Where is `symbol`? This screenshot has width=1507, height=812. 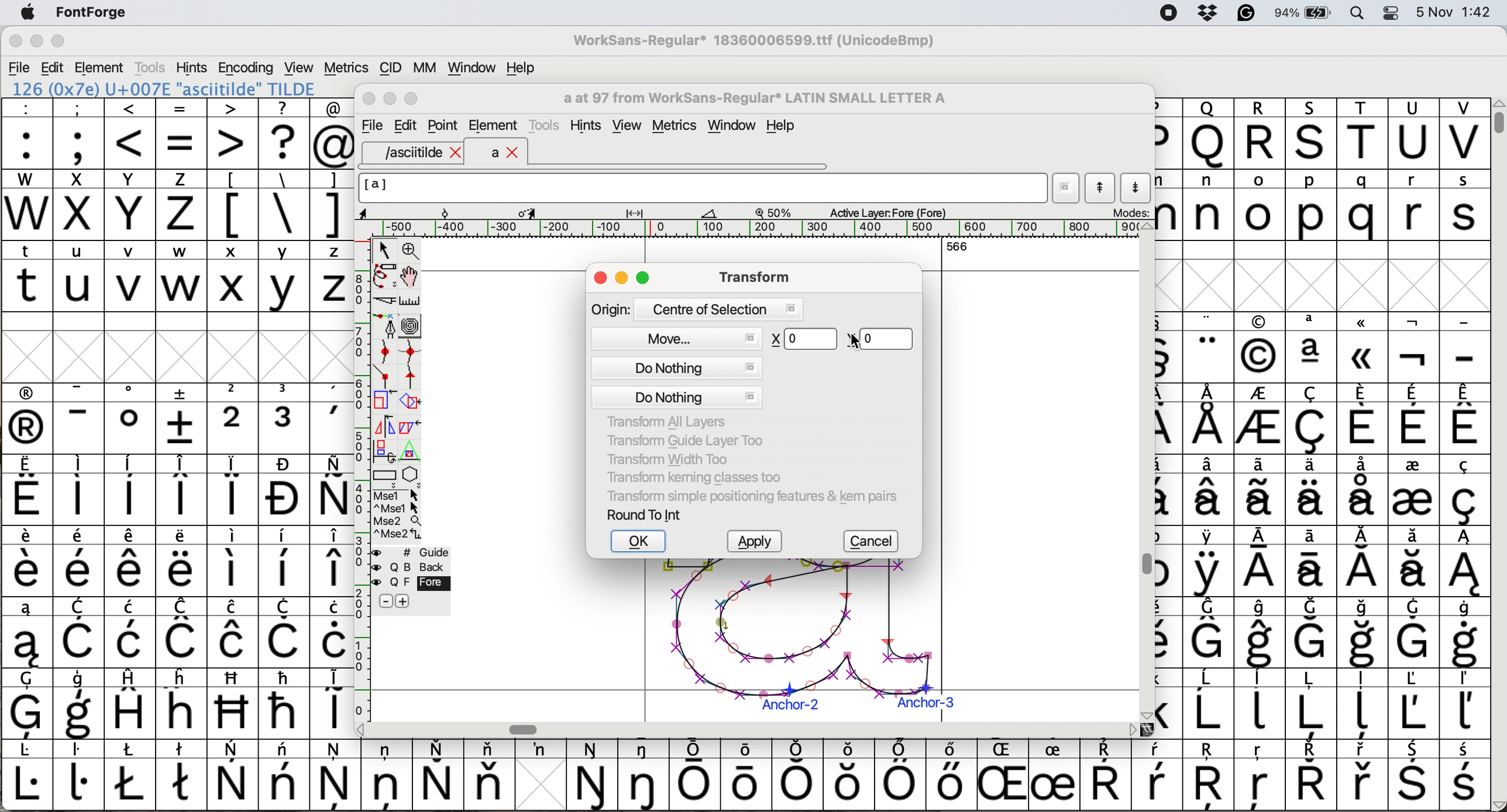
symbol is located at coordinates (1413, 562).